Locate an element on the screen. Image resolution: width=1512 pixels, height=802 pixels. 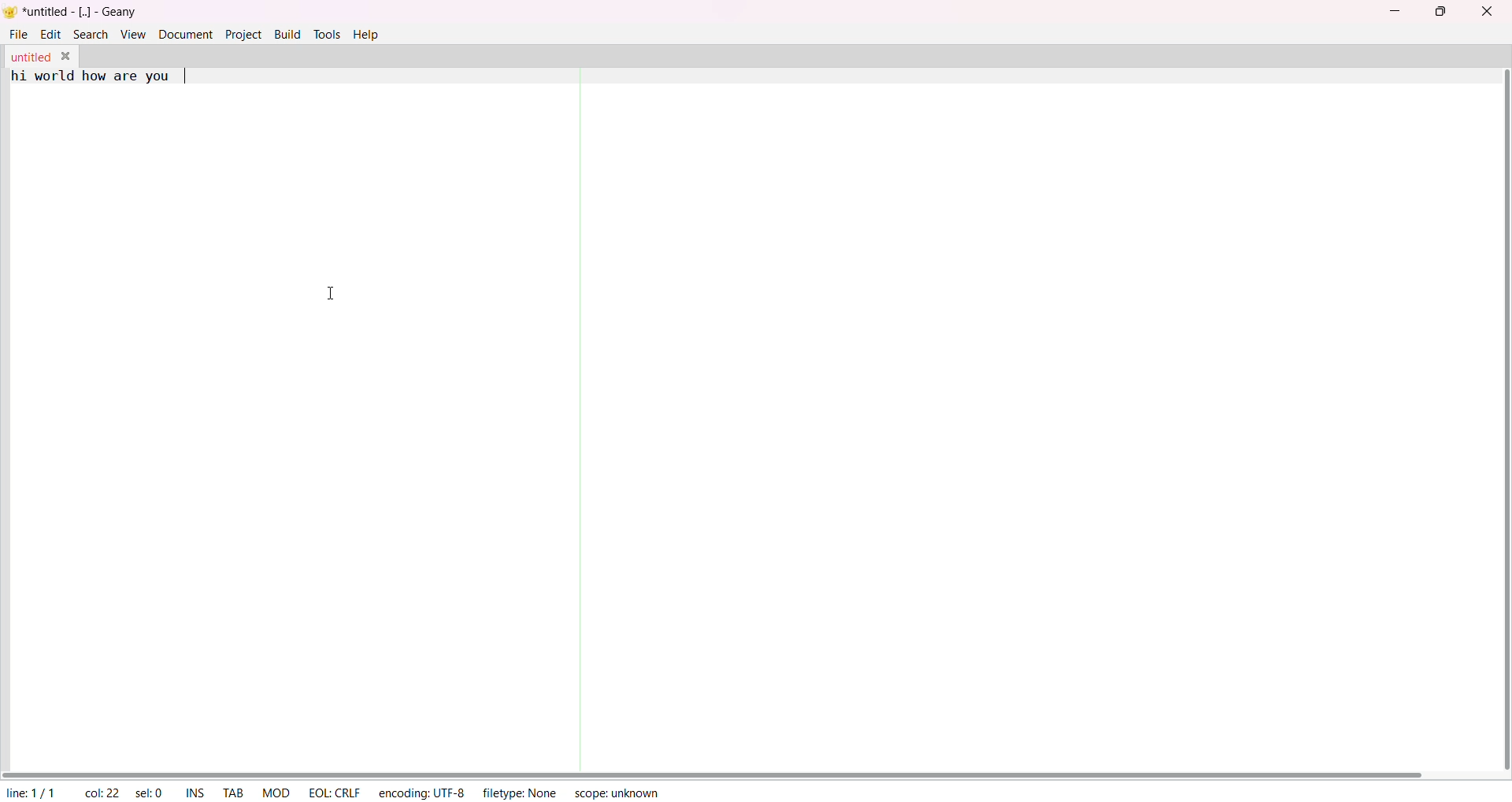
close is located at coordinates (69, 55).